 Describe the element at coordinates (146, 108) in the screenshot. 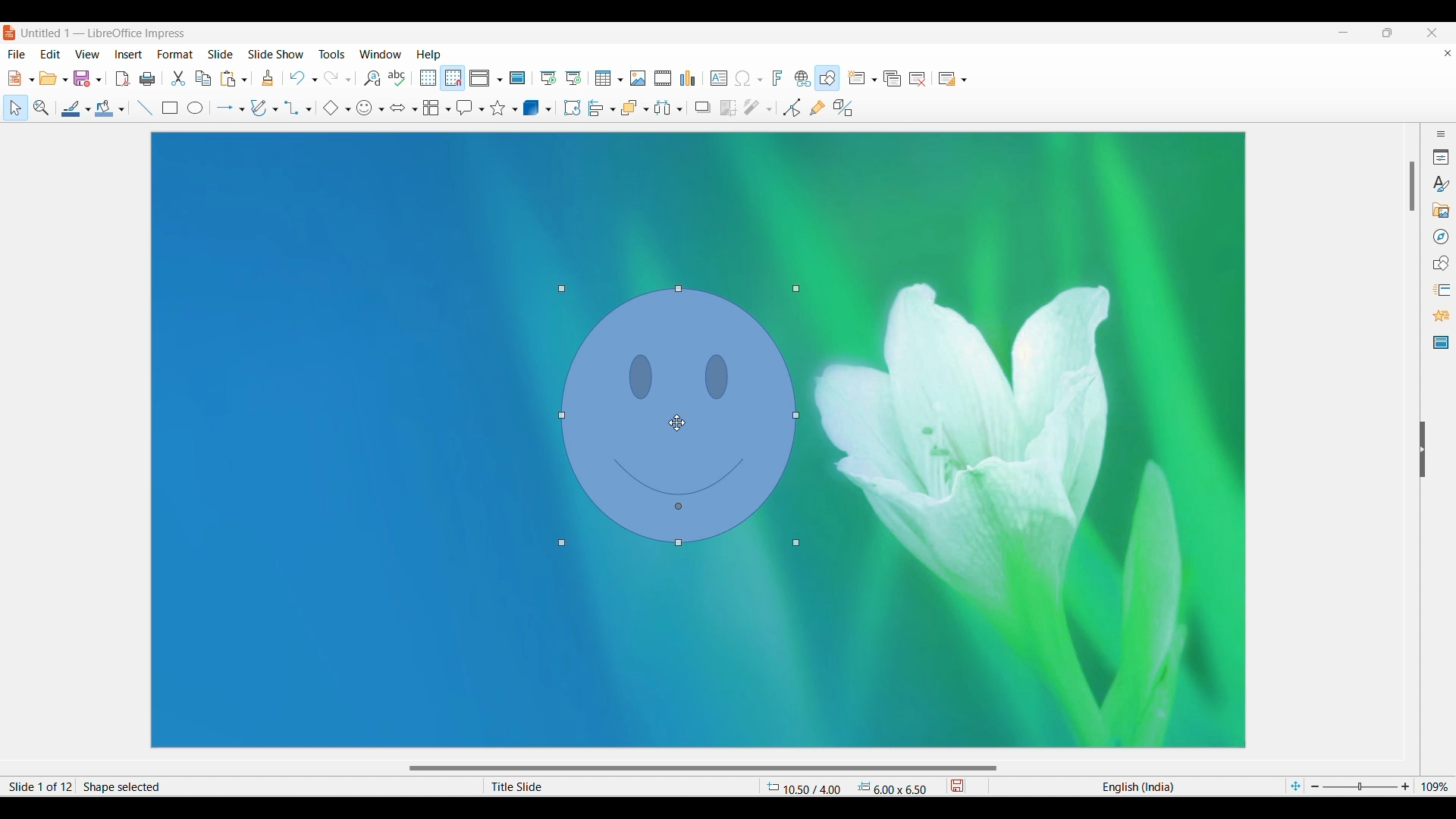

I see `Insert line` at that location.